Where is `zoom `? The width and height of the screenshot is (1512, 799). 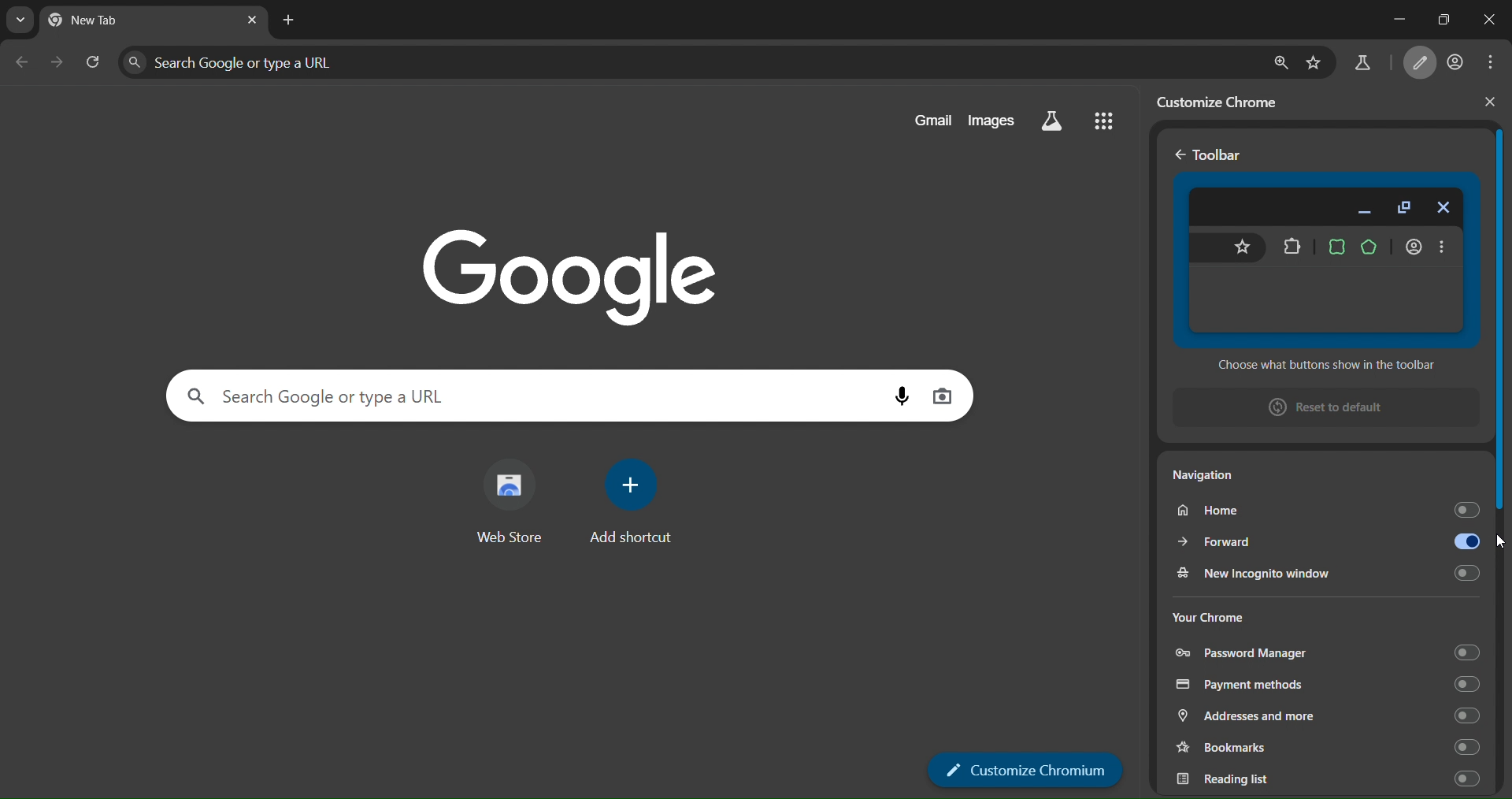 zoom  is located at coordinates (1280, 59).